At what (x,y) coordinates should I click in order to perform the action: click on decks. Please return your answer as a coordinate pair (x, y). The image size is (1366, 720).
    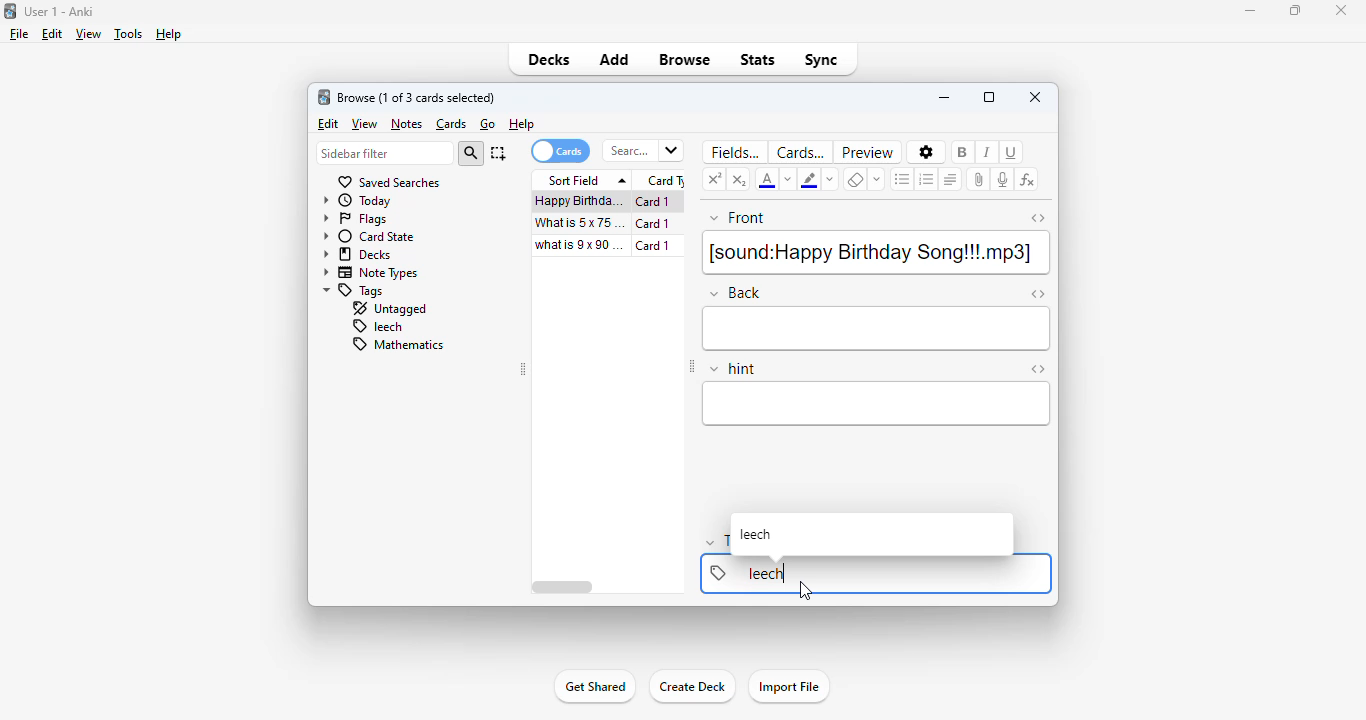
    Looking at the image, I should click on (551, 60).